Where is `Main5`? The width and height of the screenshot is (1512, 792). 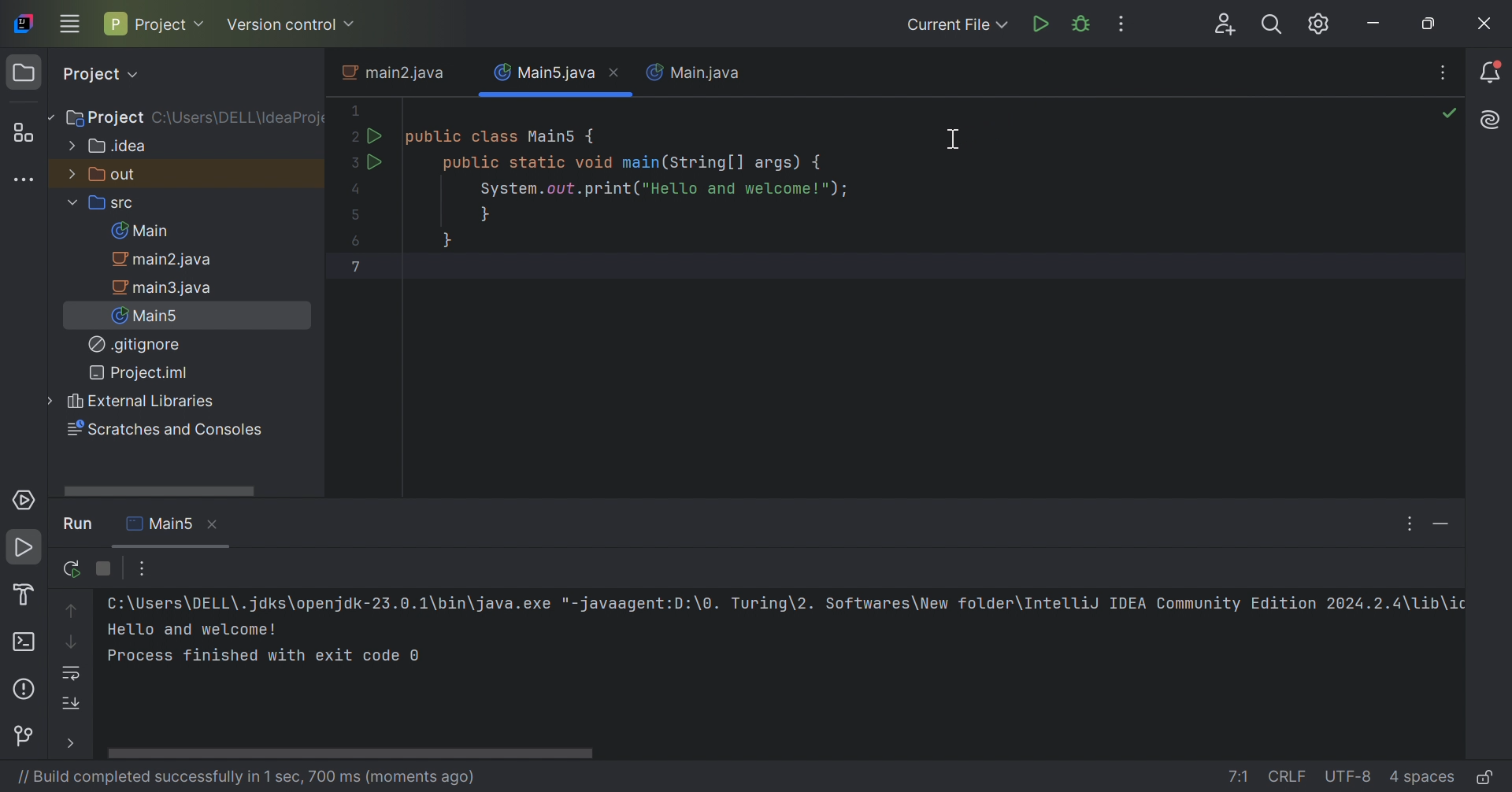
Main5 is located at coordinates (149, 316).